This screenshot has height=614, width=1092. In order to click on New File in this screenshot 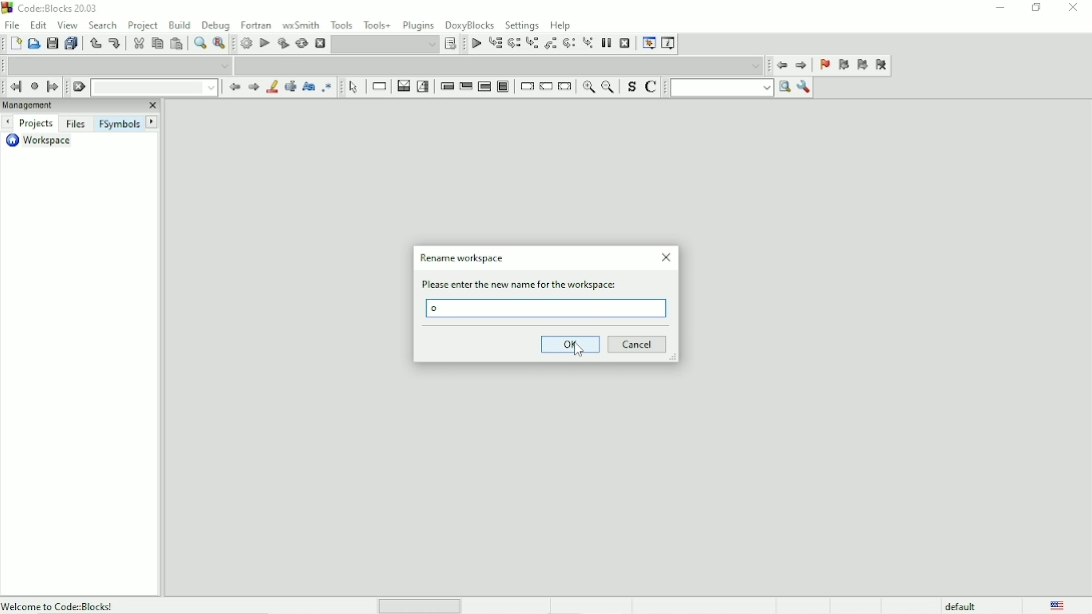, I will do `click(16, 44)`.